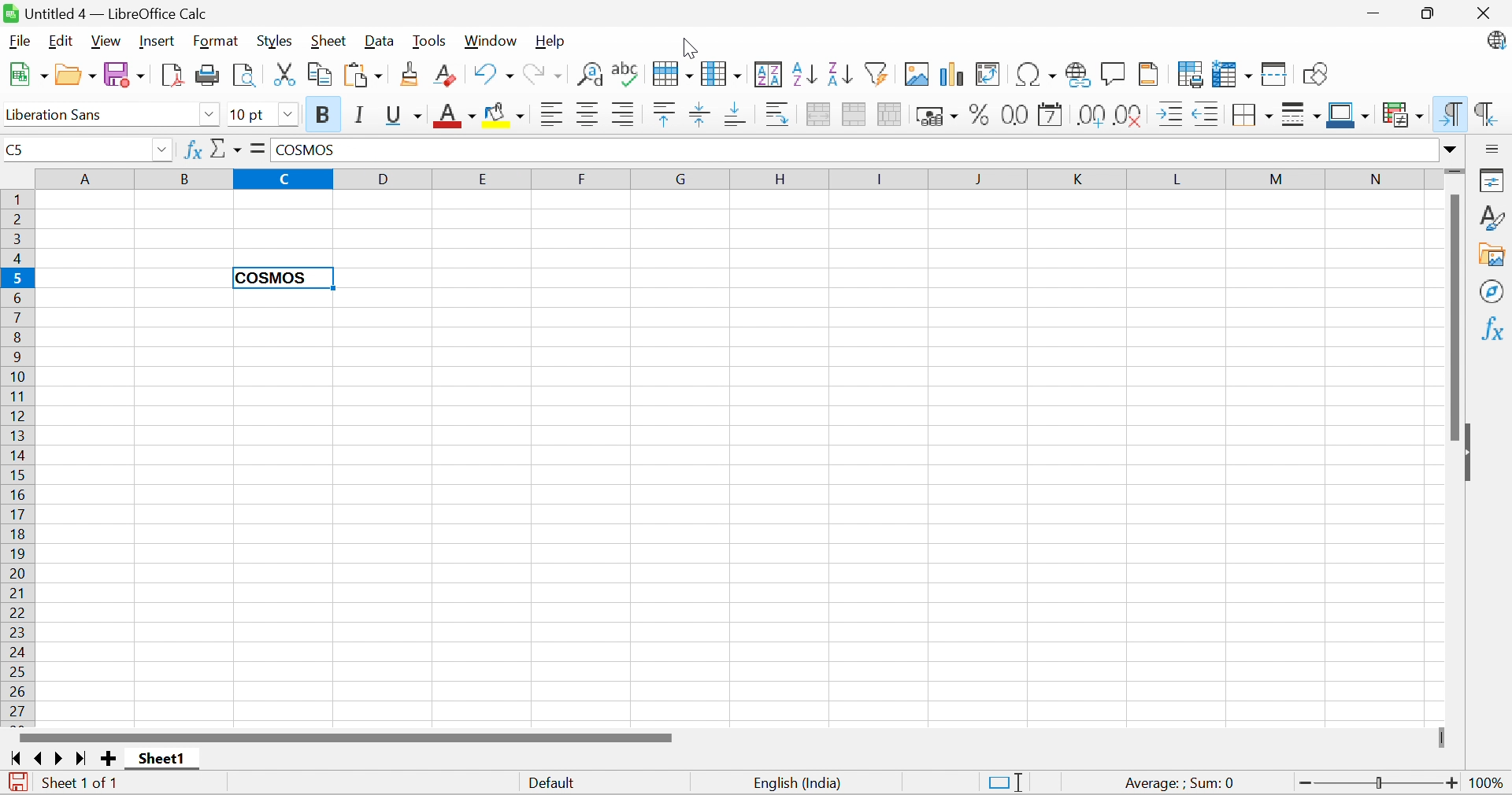 This screenshot has width=1512, height=795. Describe the element at coordinates (1003, 782) in the screenshot. I see `Standard Selection. Click to change the selection mode.` at that location.